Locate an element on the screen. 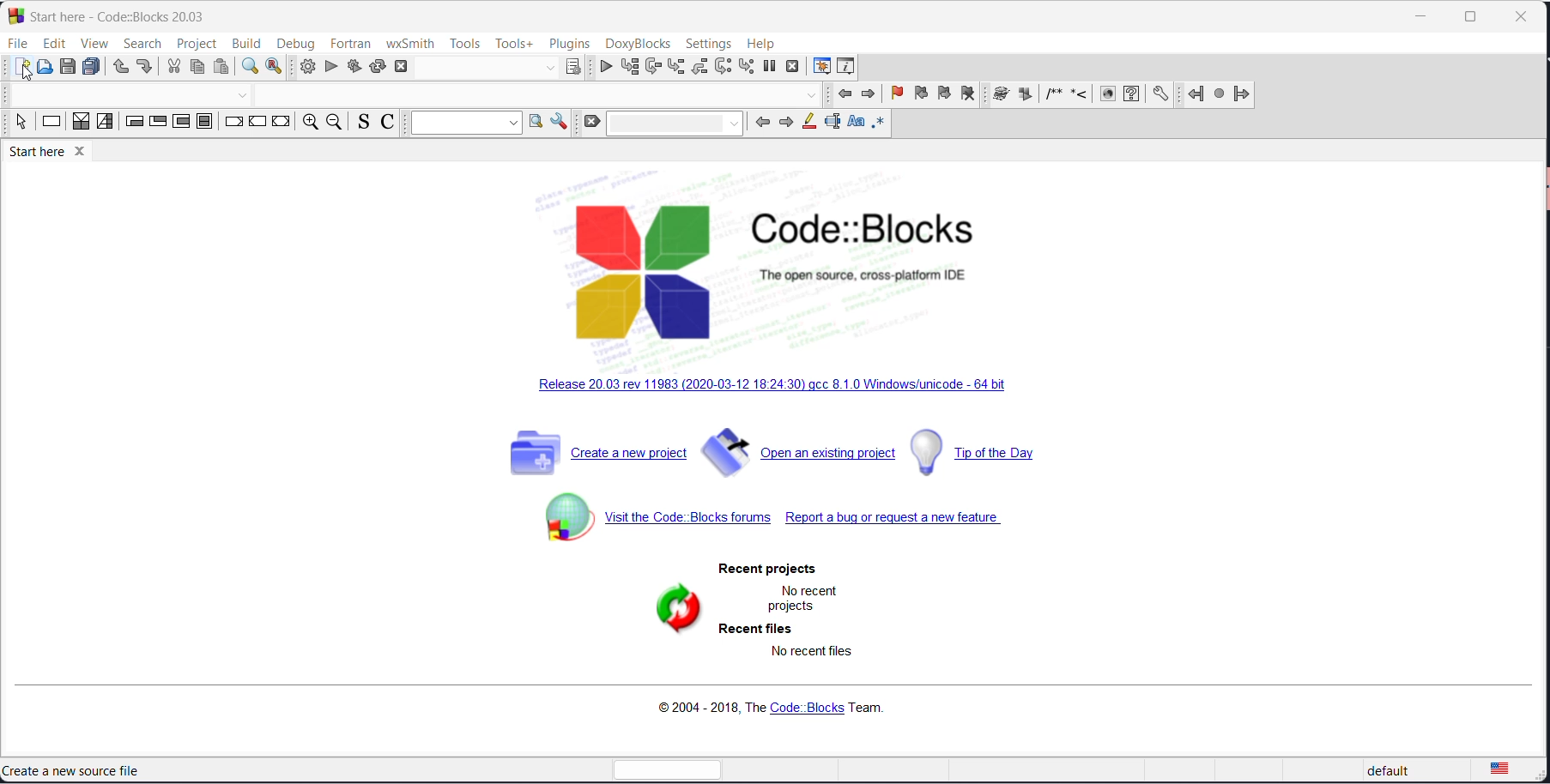 Image resolution: width=1550 pixels, height=784 pixels. open is located at coordinates (43, 69).